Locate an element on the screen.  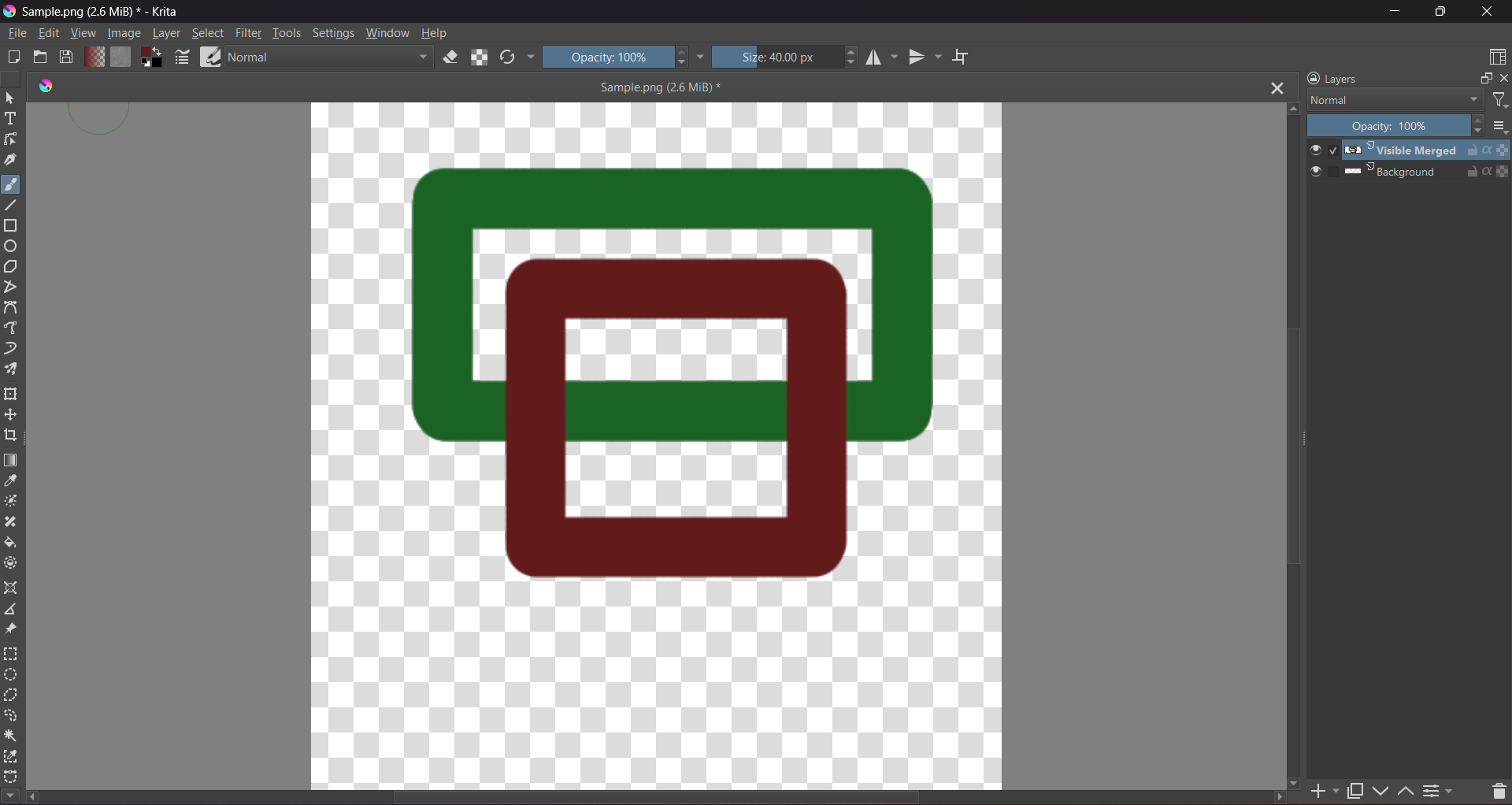
Canvas is located at coordinates (658, 445).